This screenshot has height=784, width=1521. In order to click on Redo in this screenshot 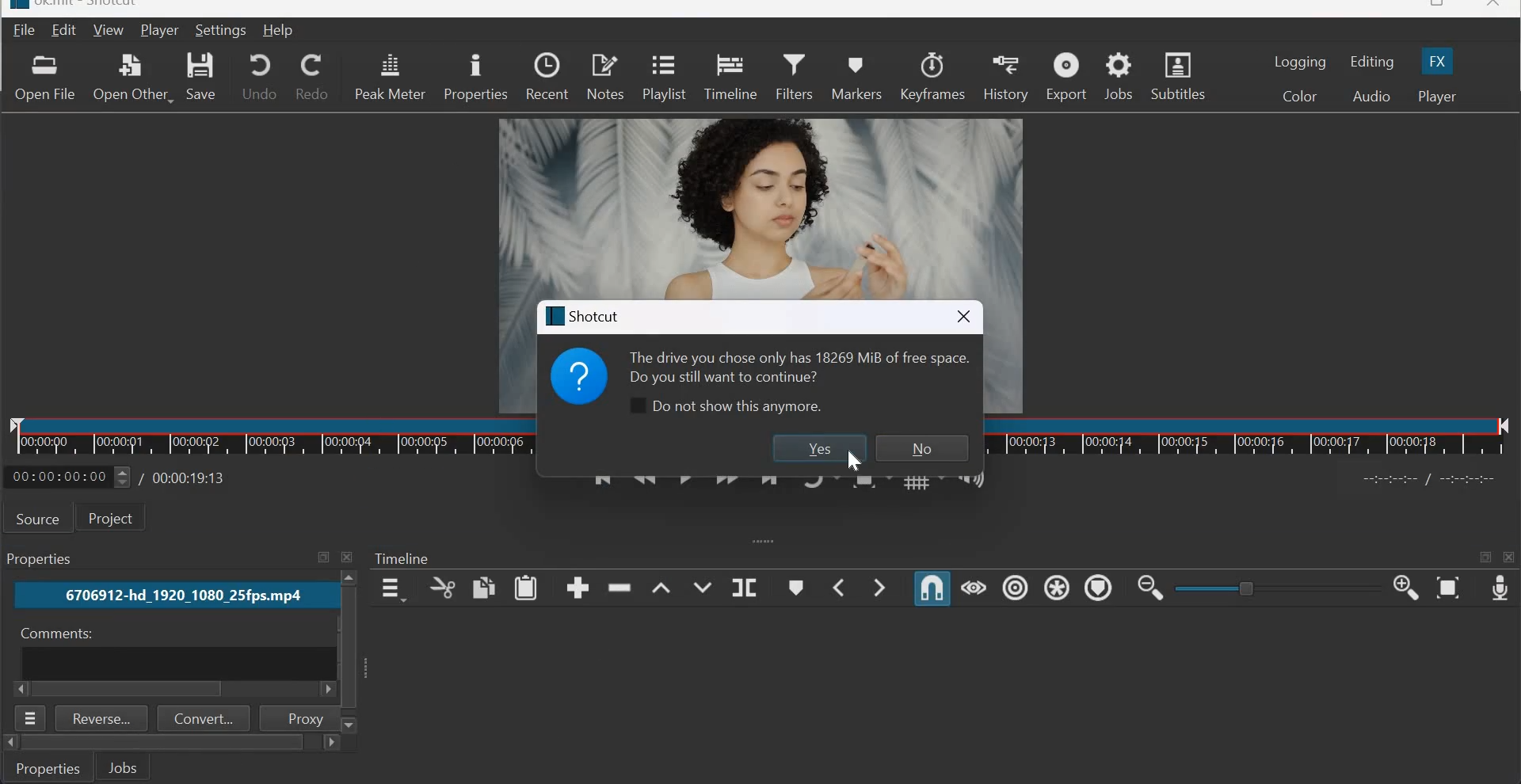, I will do `click(312, 77)`.